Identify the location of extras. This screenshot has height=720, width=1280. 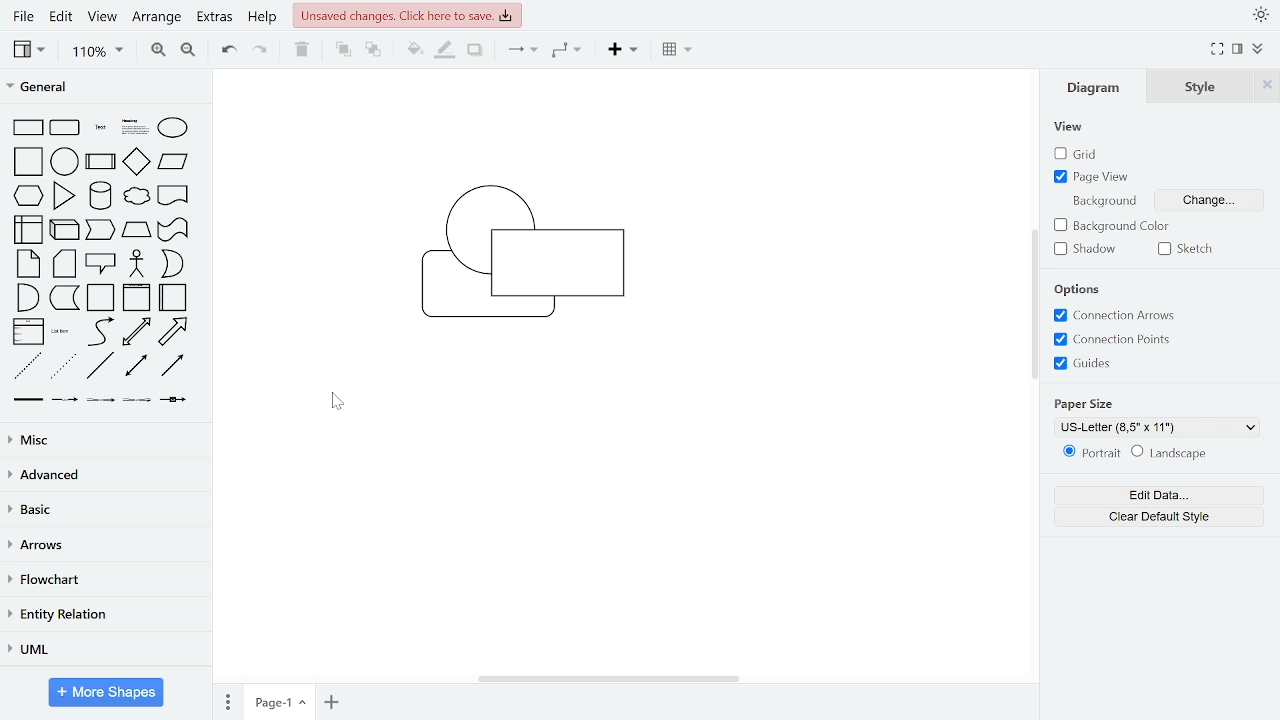
(216, 20).